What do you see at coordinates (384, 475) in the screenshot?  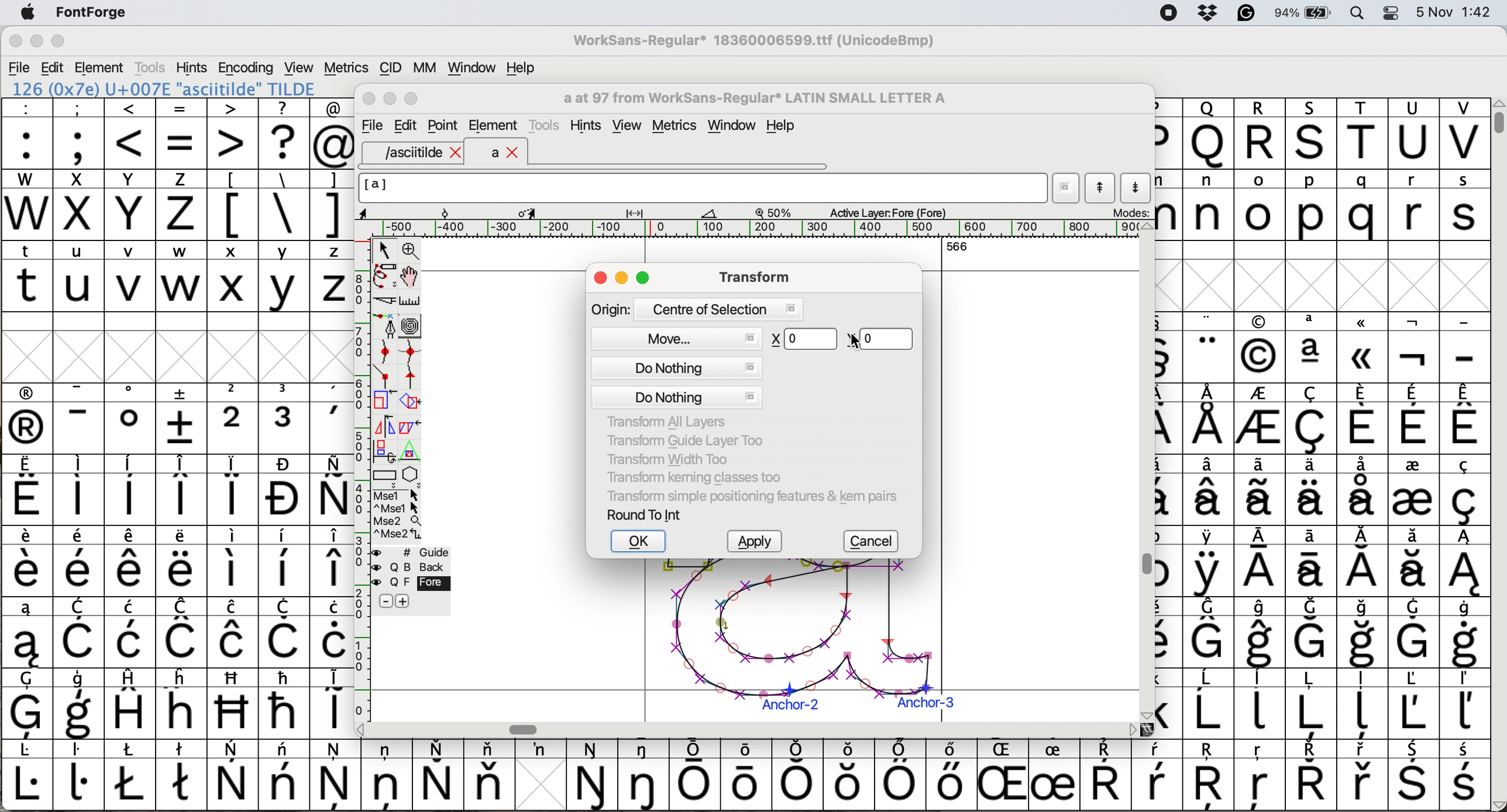 I see `Rectangle or box` at bounding box center [384, 475].